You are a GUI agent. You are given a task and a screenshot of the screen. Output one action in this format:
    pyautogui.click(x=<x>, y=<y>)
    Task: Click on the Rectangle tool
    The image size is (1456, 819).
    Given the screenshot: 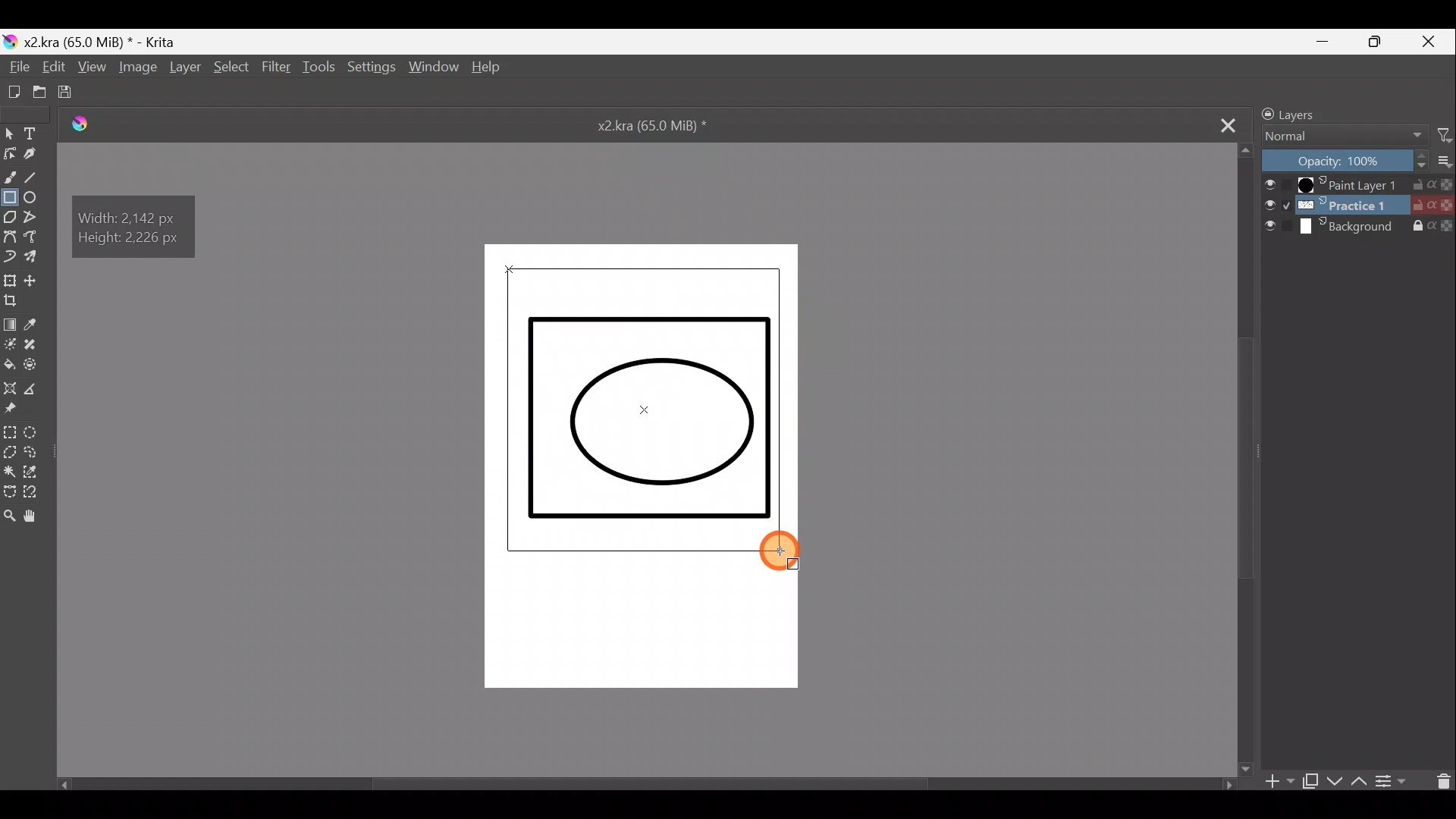 What is the action you would take?
    pyautogui.click(x=10, y=200)
    